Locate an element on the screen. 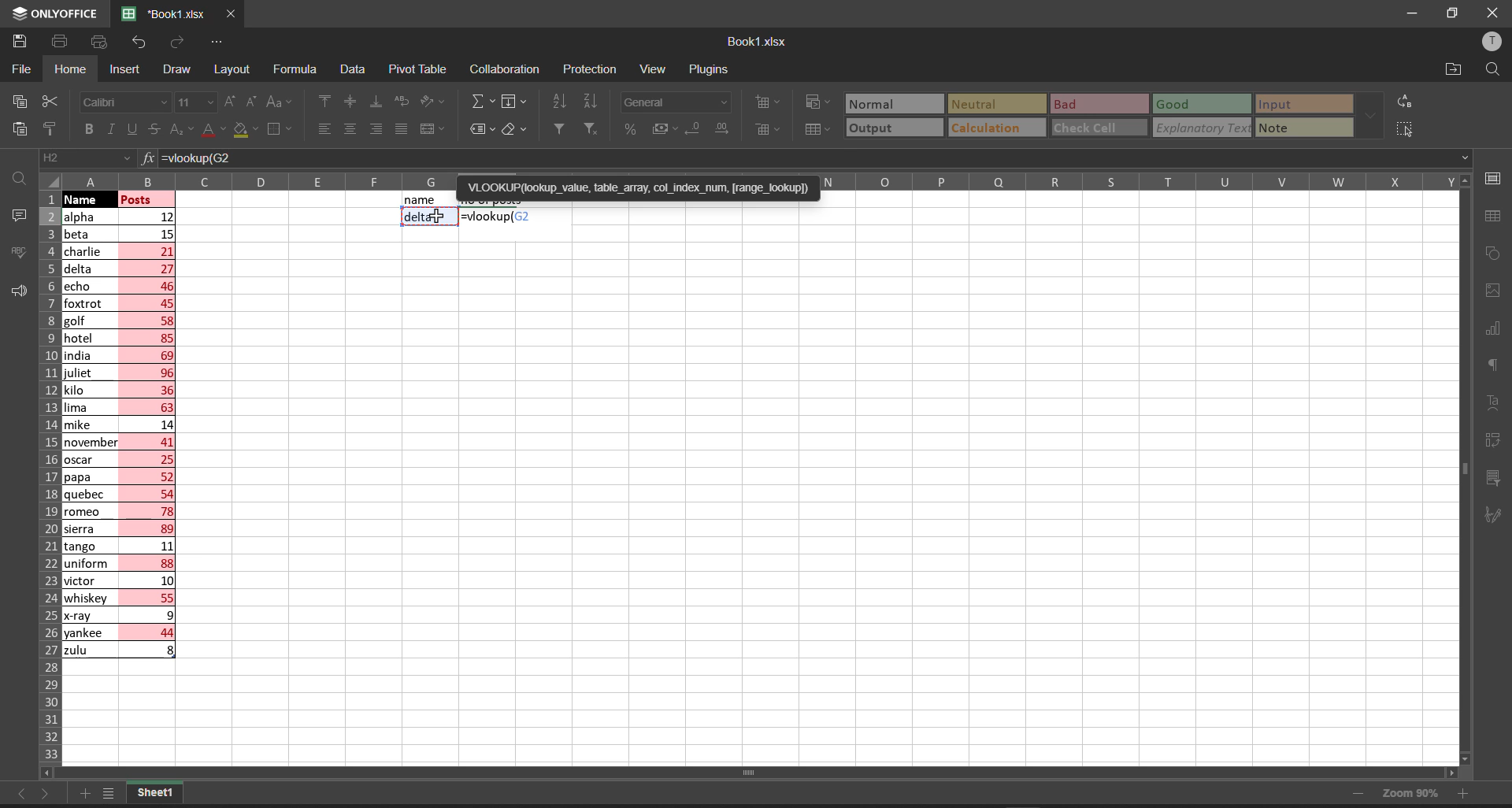 Image resolution: width=1512 pixels, height=808 pixels. name is located at coordinates (421, 200).